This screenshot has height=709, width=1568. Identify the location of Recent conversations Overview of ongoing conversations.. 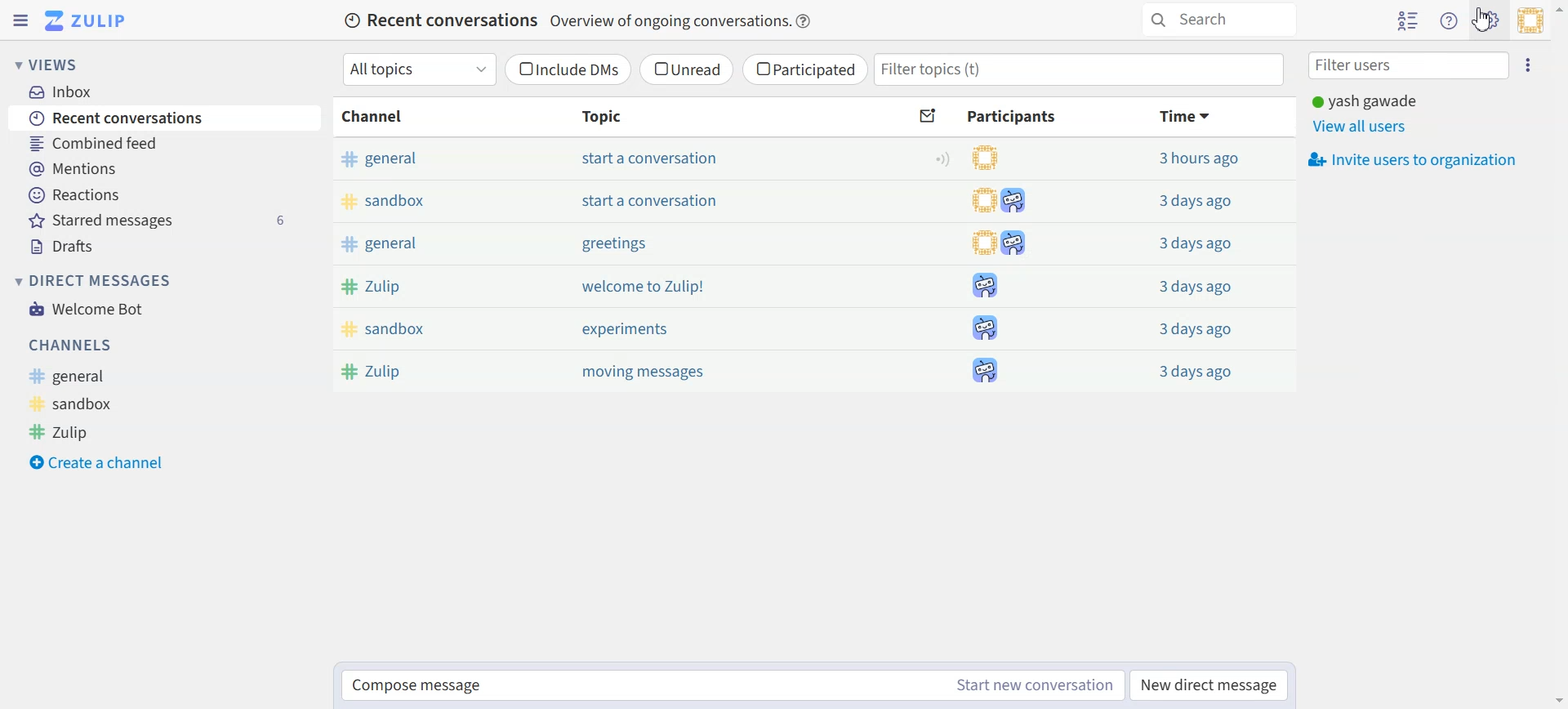
(566, 21).